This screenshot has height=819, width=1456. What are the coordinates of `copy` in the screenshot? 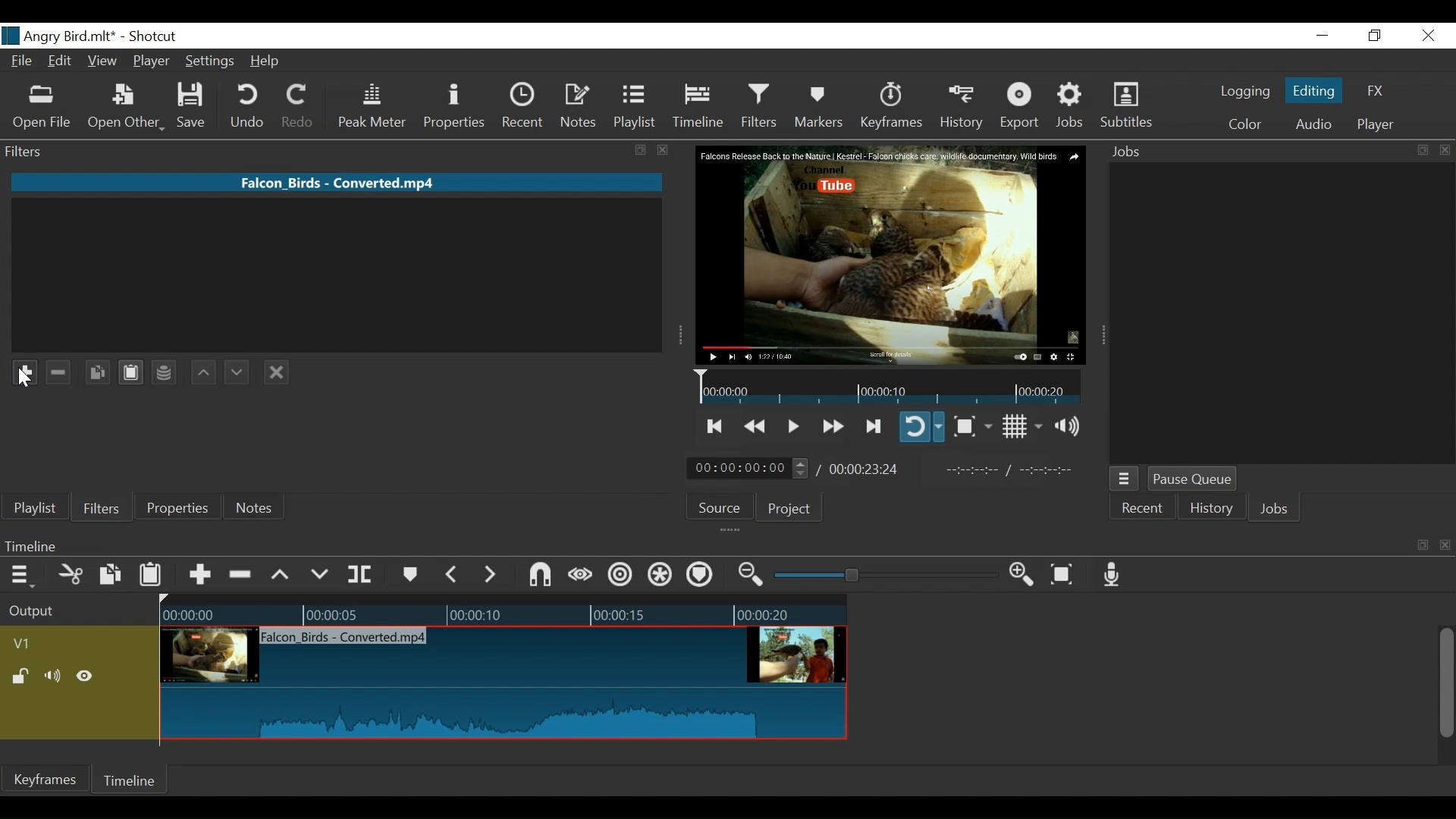 It's located at (642, 151).